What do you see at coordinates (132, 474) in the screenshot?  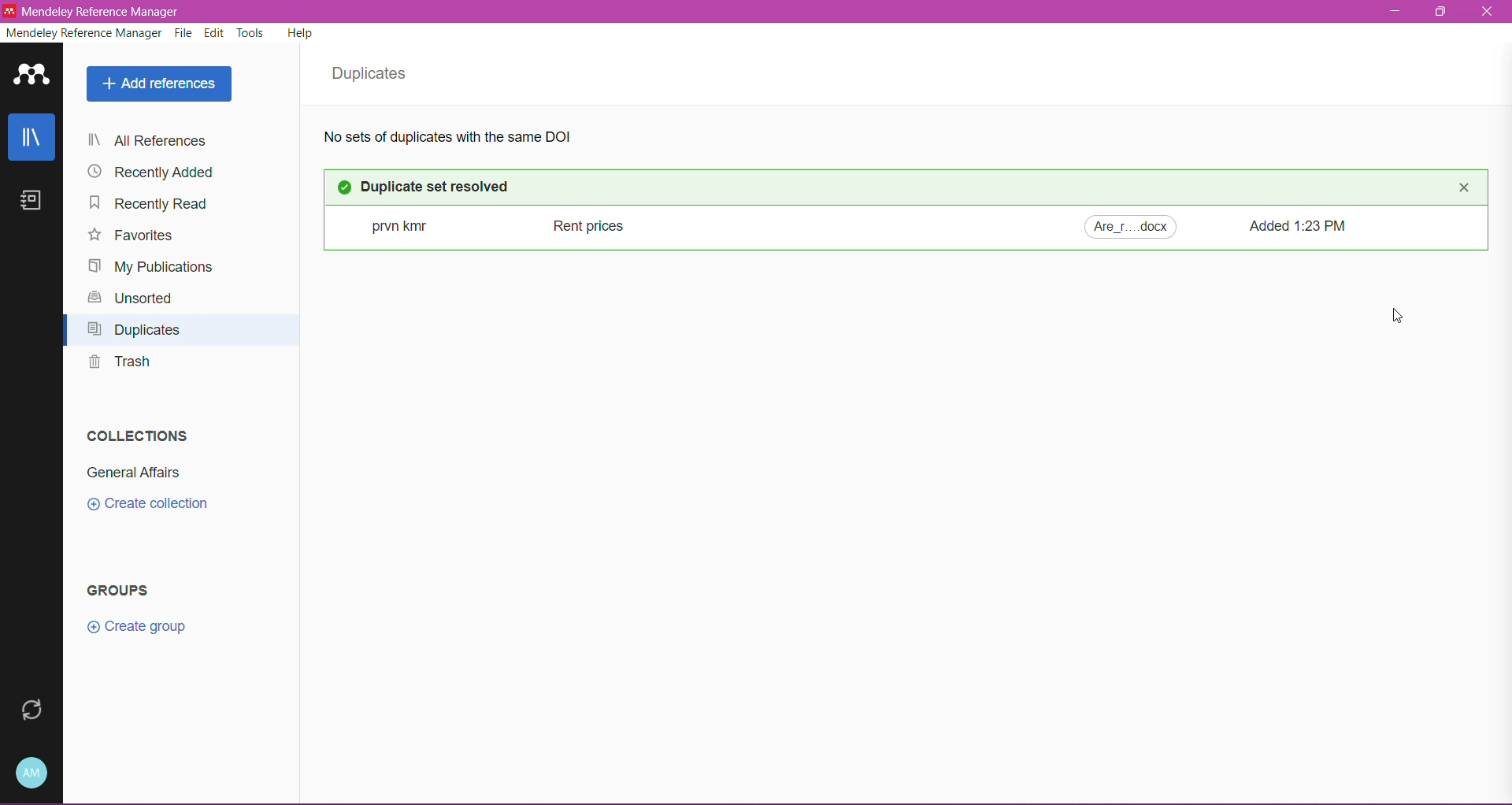 I see `Collection Name` at bounding box center [132, 474].